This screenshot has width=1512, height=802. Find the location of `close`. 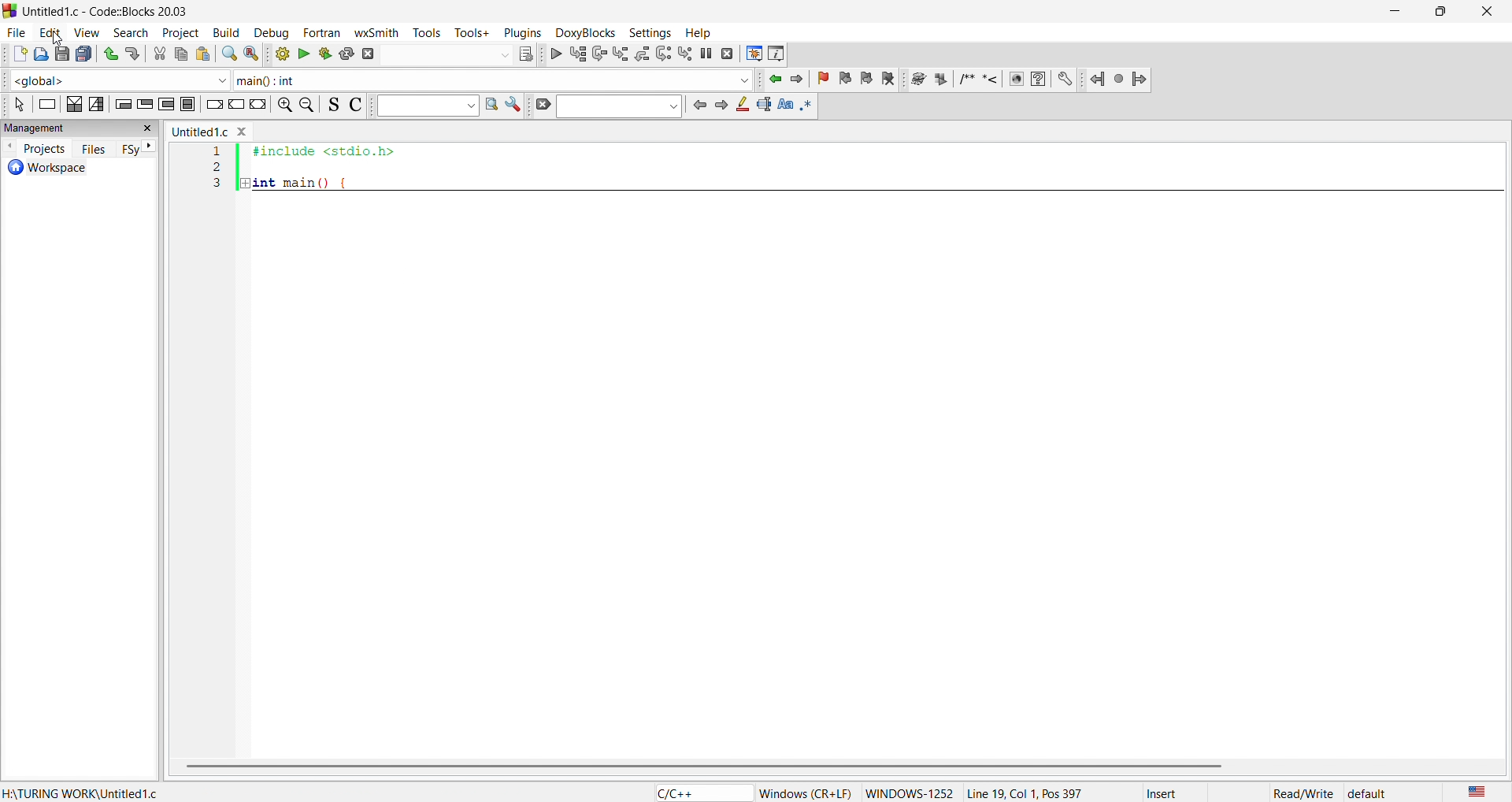

close is located at coordinates (1485, 12).